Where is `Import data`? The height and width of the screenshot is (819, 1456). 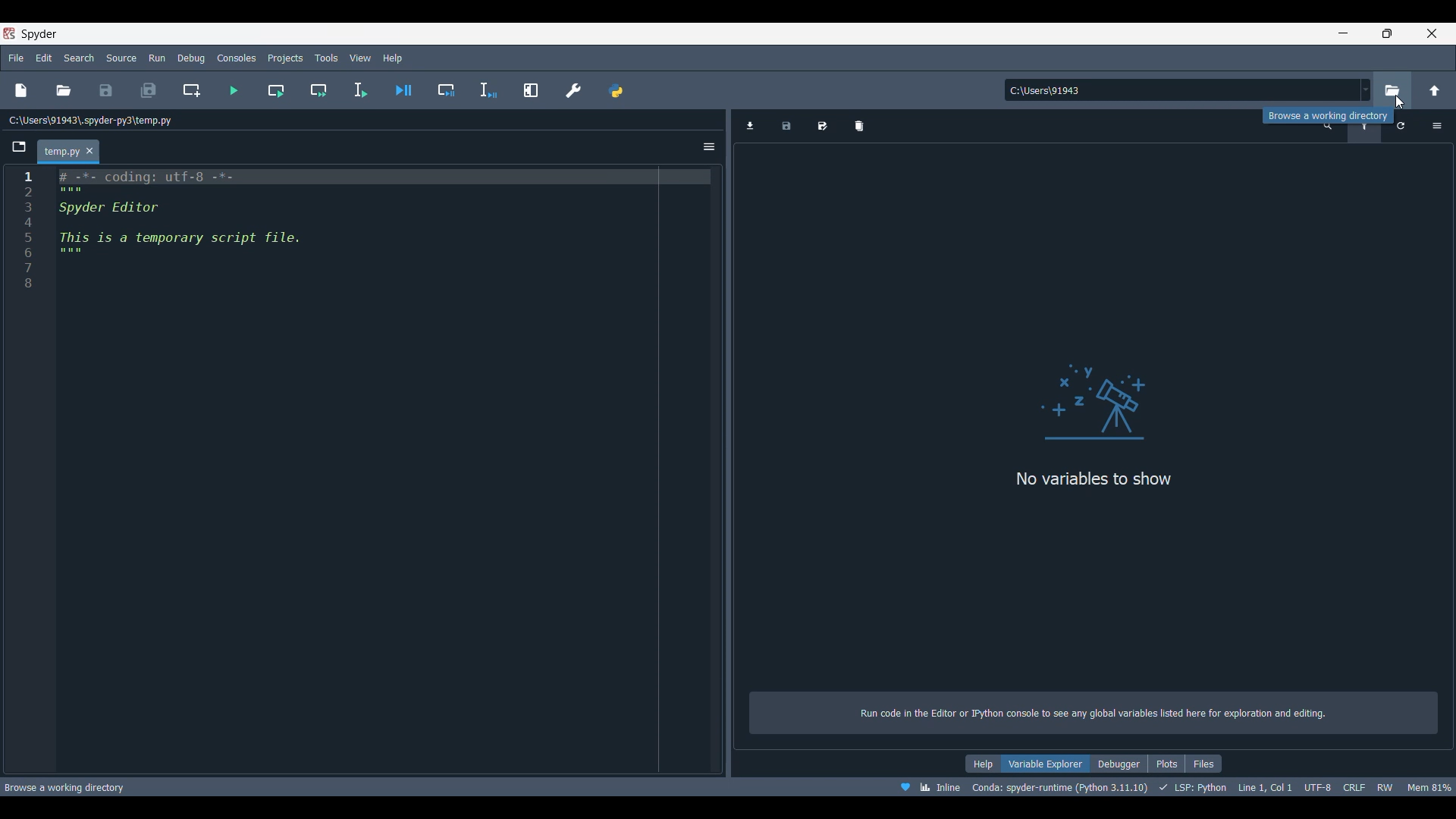
Import data is located at coordinates (750, 126).